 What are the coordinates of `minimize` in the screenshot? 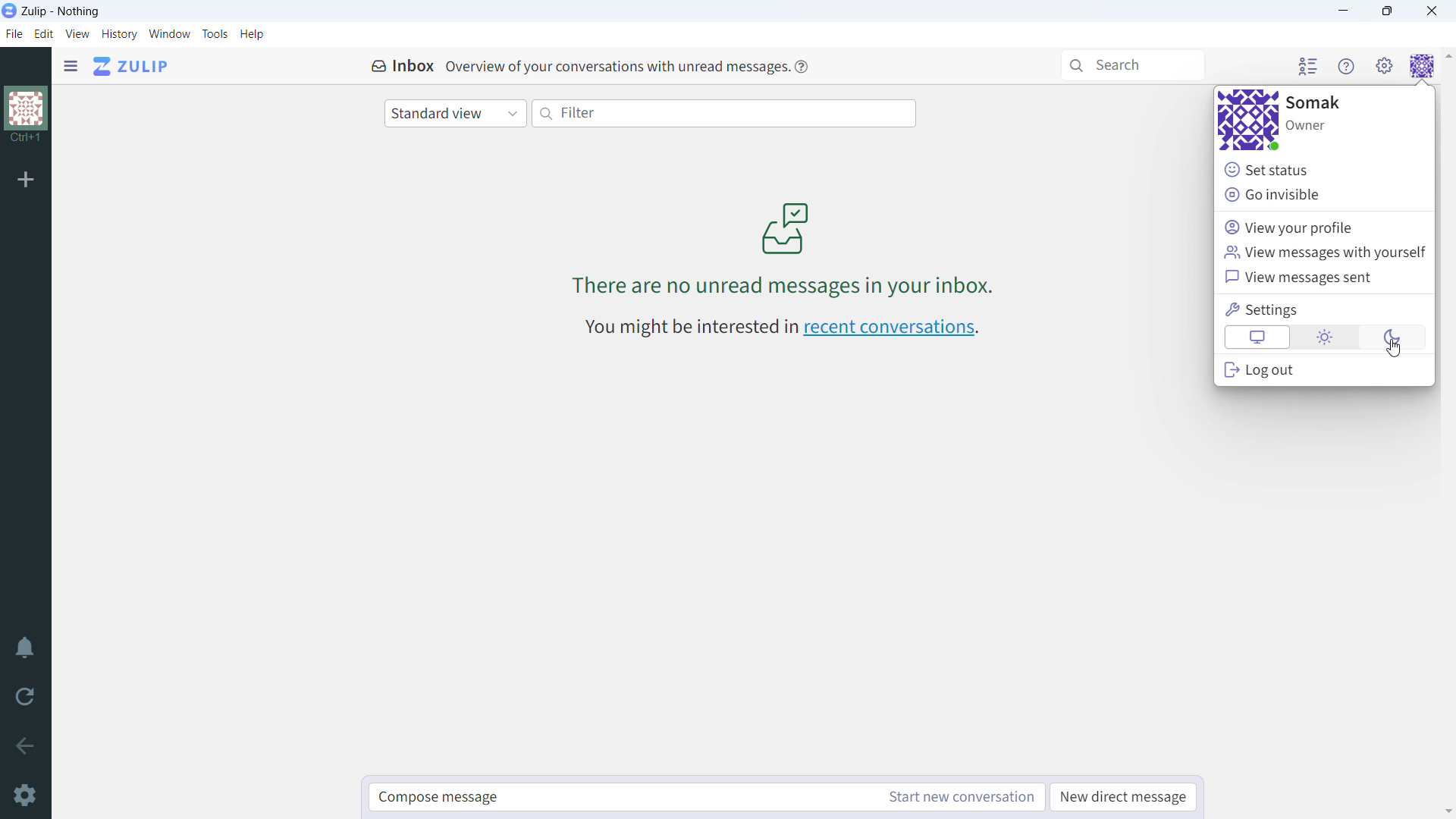 It's located at (1341, 11).